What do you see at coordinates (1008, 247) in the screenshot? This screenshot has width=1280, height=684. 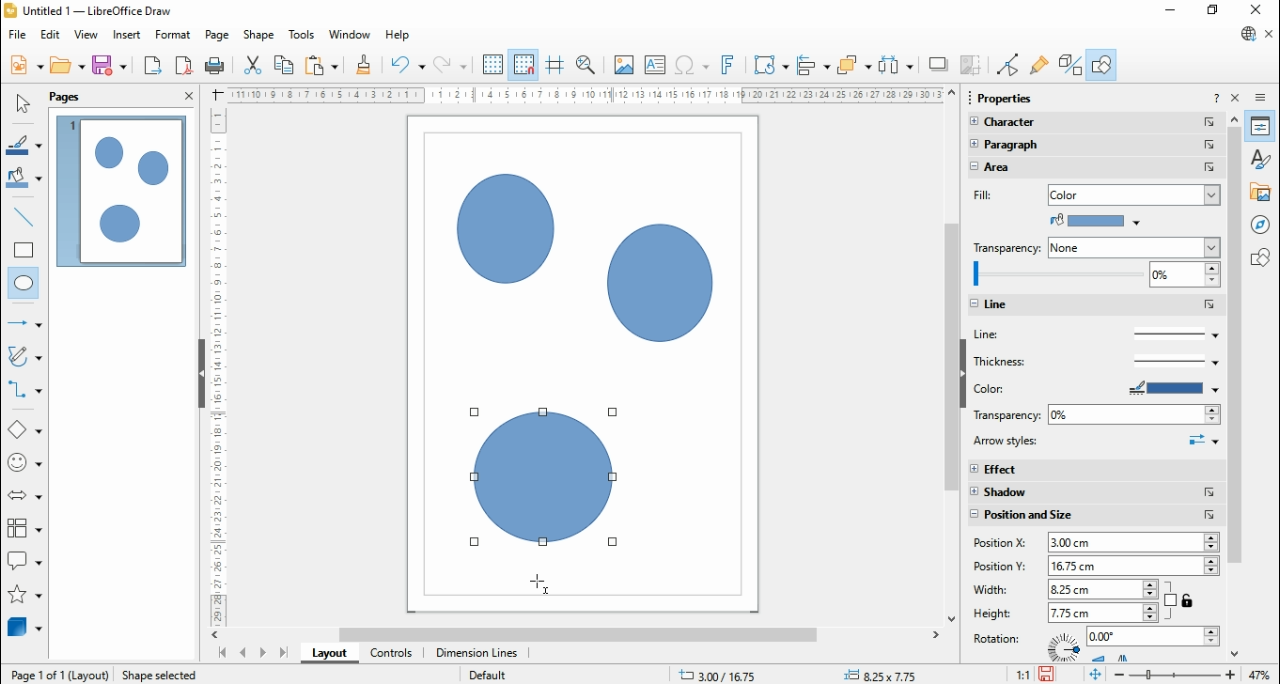 I see `transperency` at bounding box center [1008, 247].